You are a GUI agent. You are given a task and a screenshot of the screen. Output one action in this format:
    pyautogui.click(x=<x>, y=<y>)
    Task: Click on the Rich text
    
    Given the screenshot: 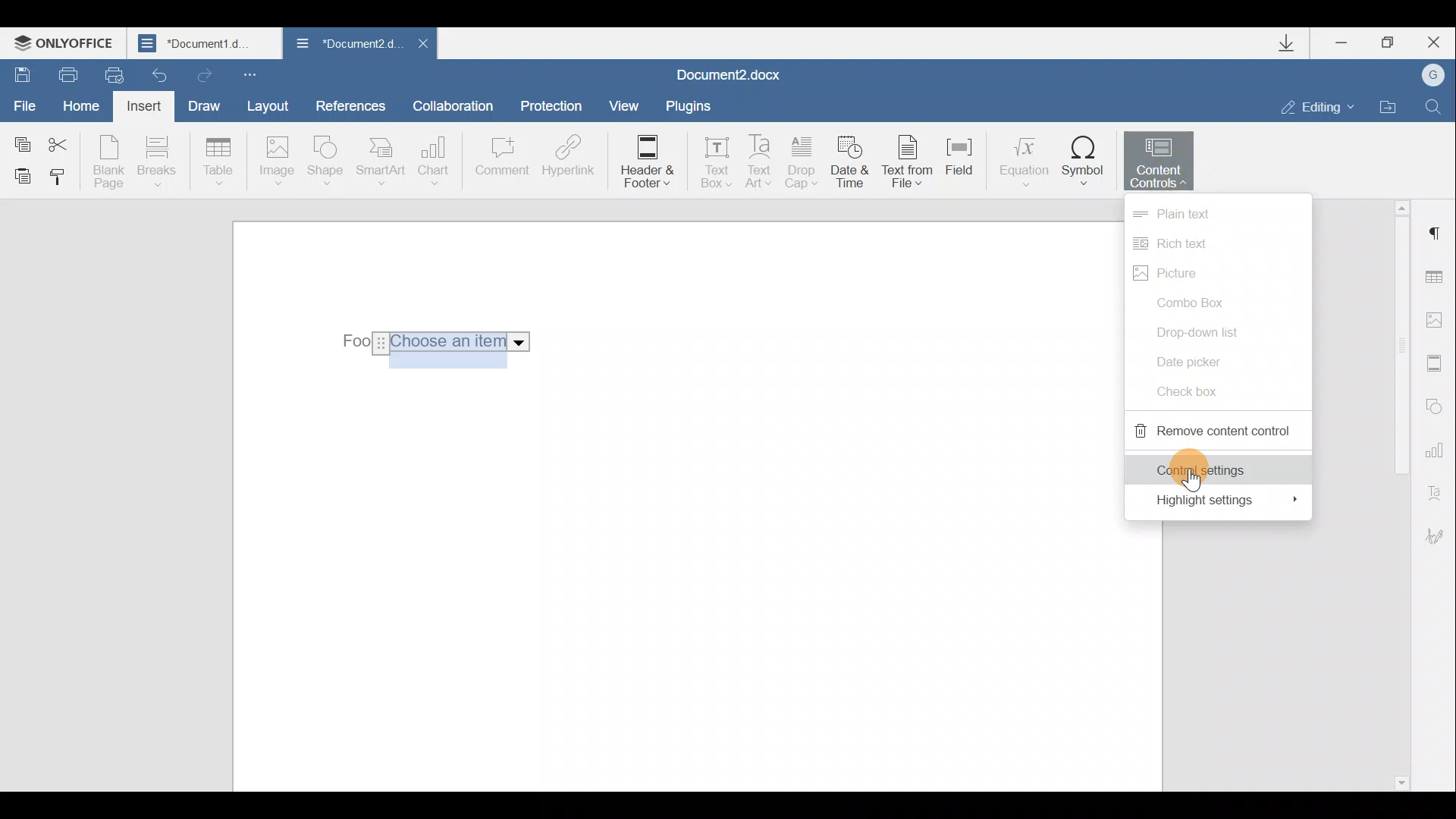 What is the action you would take?
    pyautogui.click(x=1184, y=246)
    